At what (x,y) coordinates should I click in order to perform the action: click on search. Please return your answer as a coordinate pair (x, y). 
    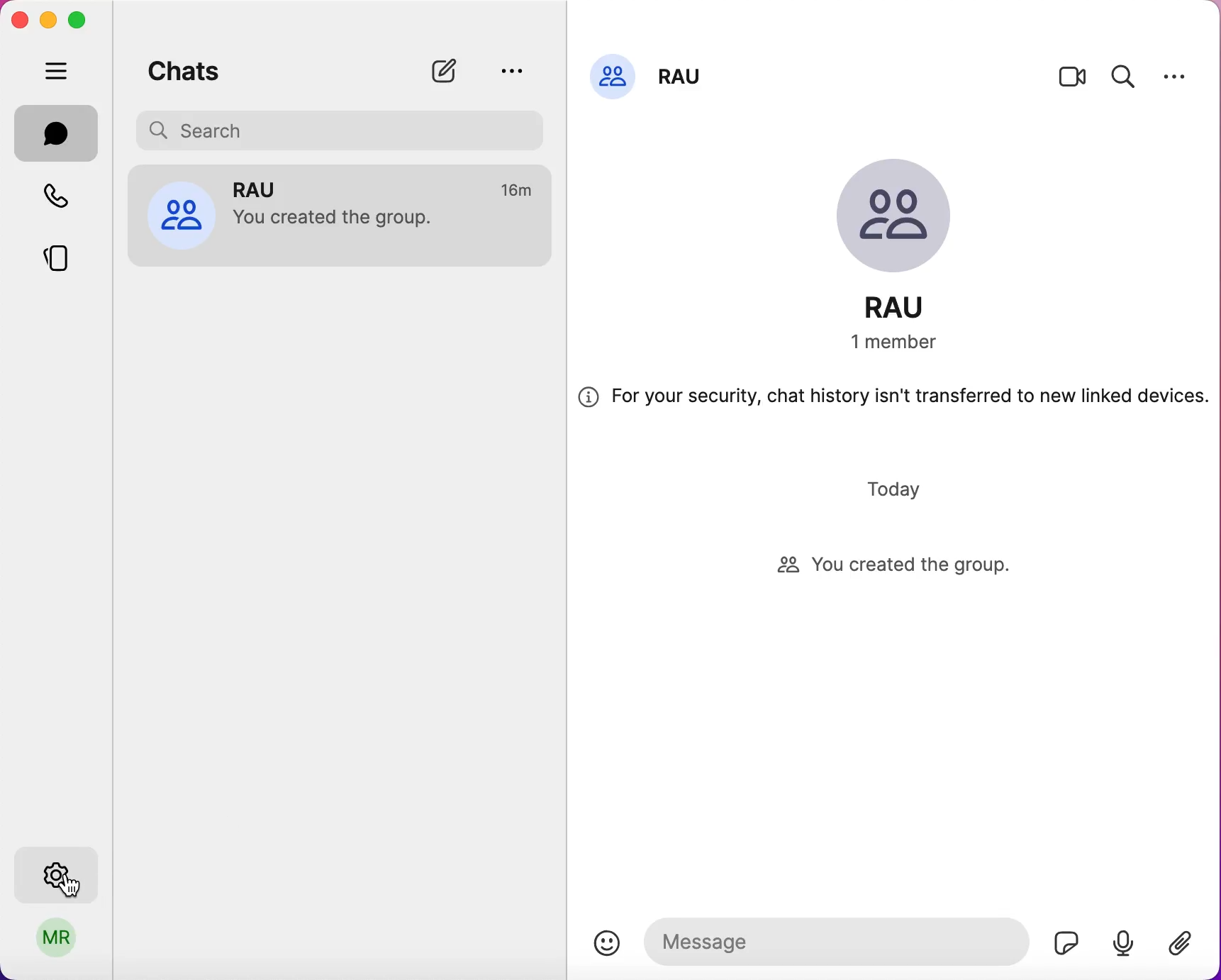
    Looking at the image, I should click on (1124, 74).